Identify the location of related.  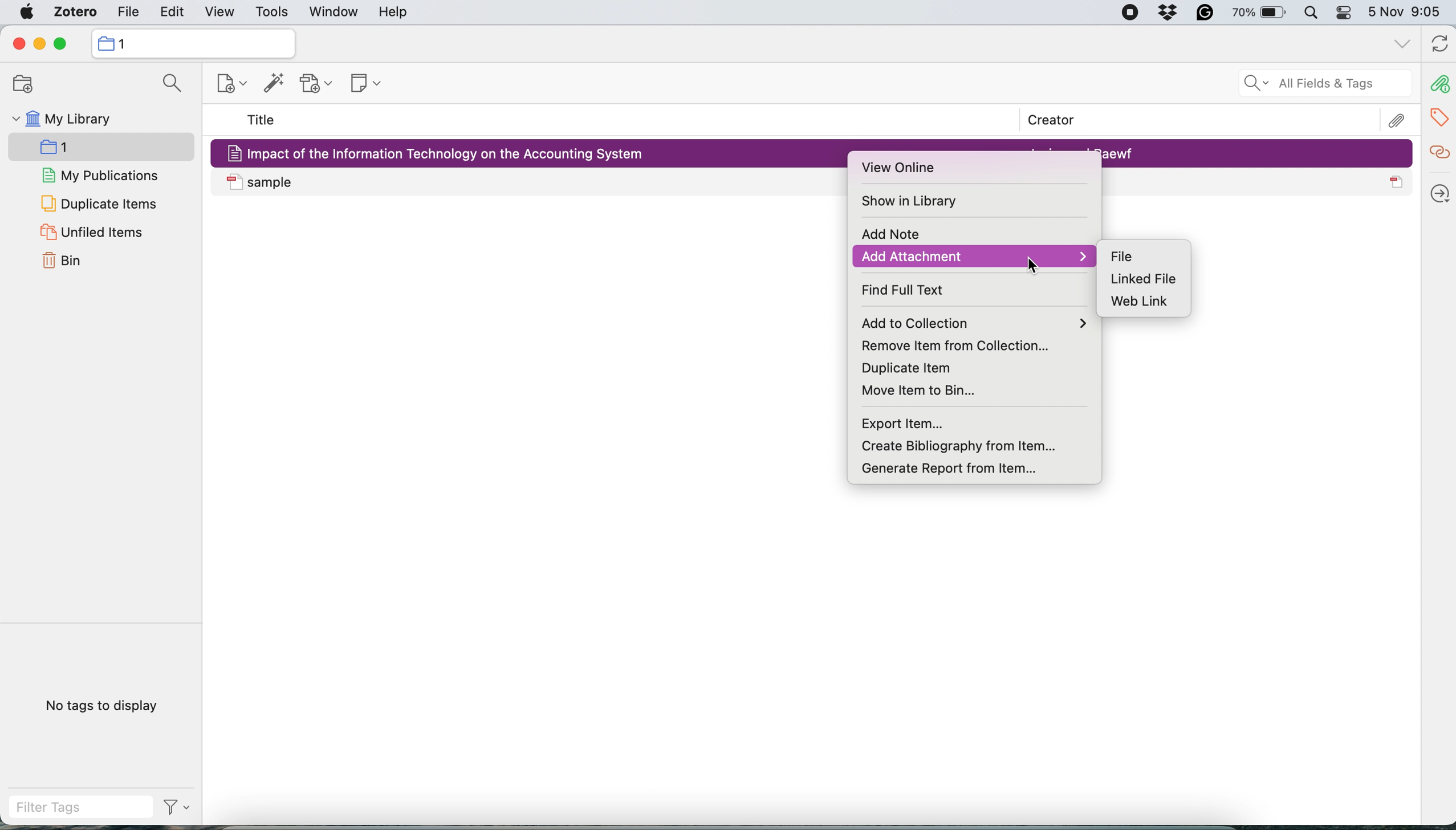
(1438, 150).